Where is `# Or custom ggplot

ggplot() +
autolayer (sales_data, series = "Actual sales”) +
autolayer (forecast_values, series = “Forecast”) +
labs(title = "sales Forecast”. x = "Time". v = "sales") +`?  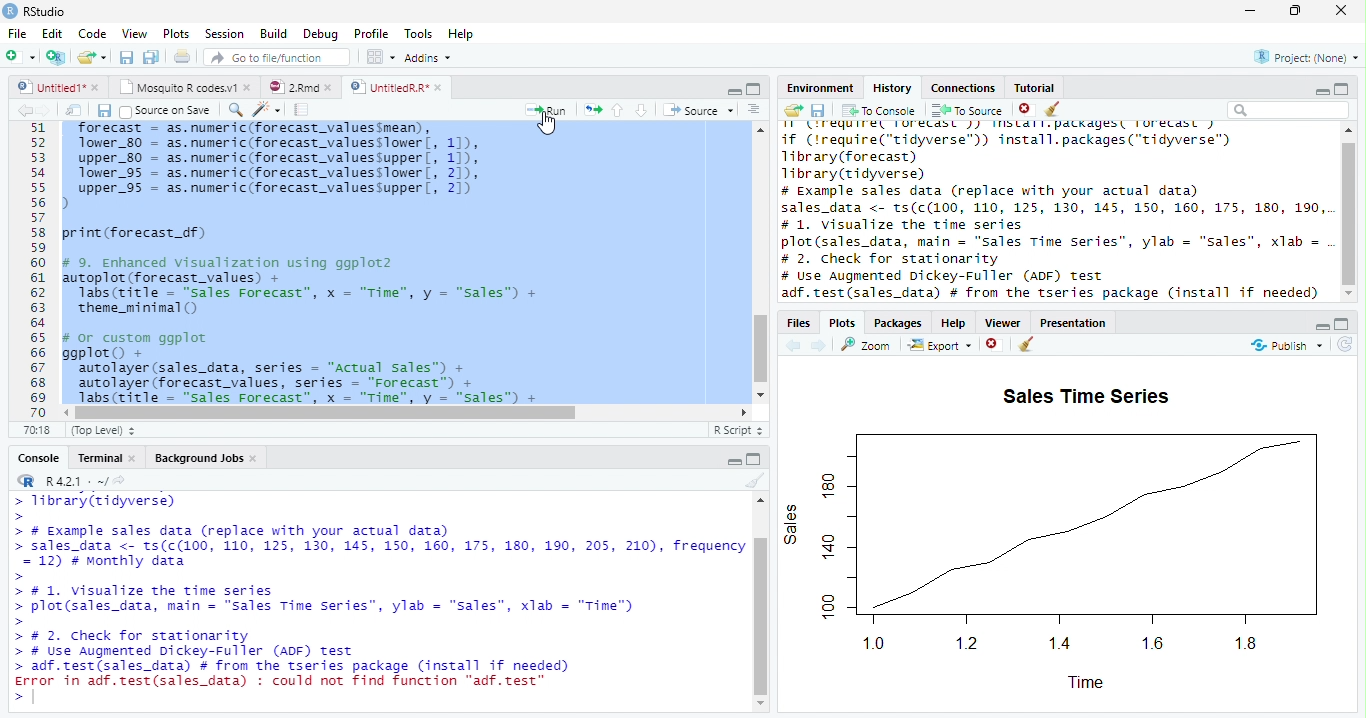 # Or custom ggplot

ggplot() +
autolayer (sales_data, series = "Actual sales”) +
autolayer (forecast_values, series = “Forecast”) +
labs(title = "sales Forecast”. x = "Time". v = "sales") + is located at coordinates (321, 367).